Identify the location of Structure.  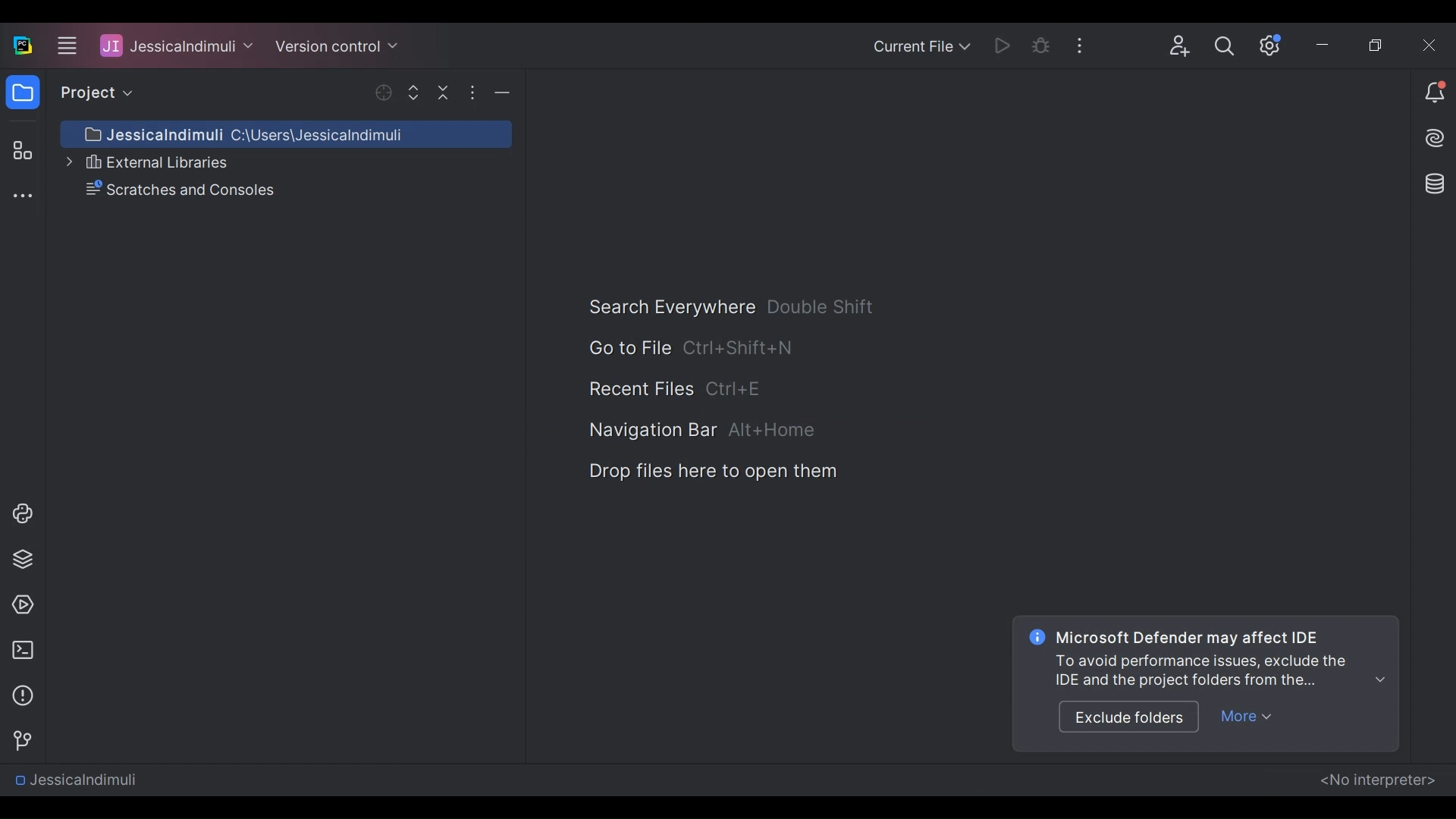
(20, 150).